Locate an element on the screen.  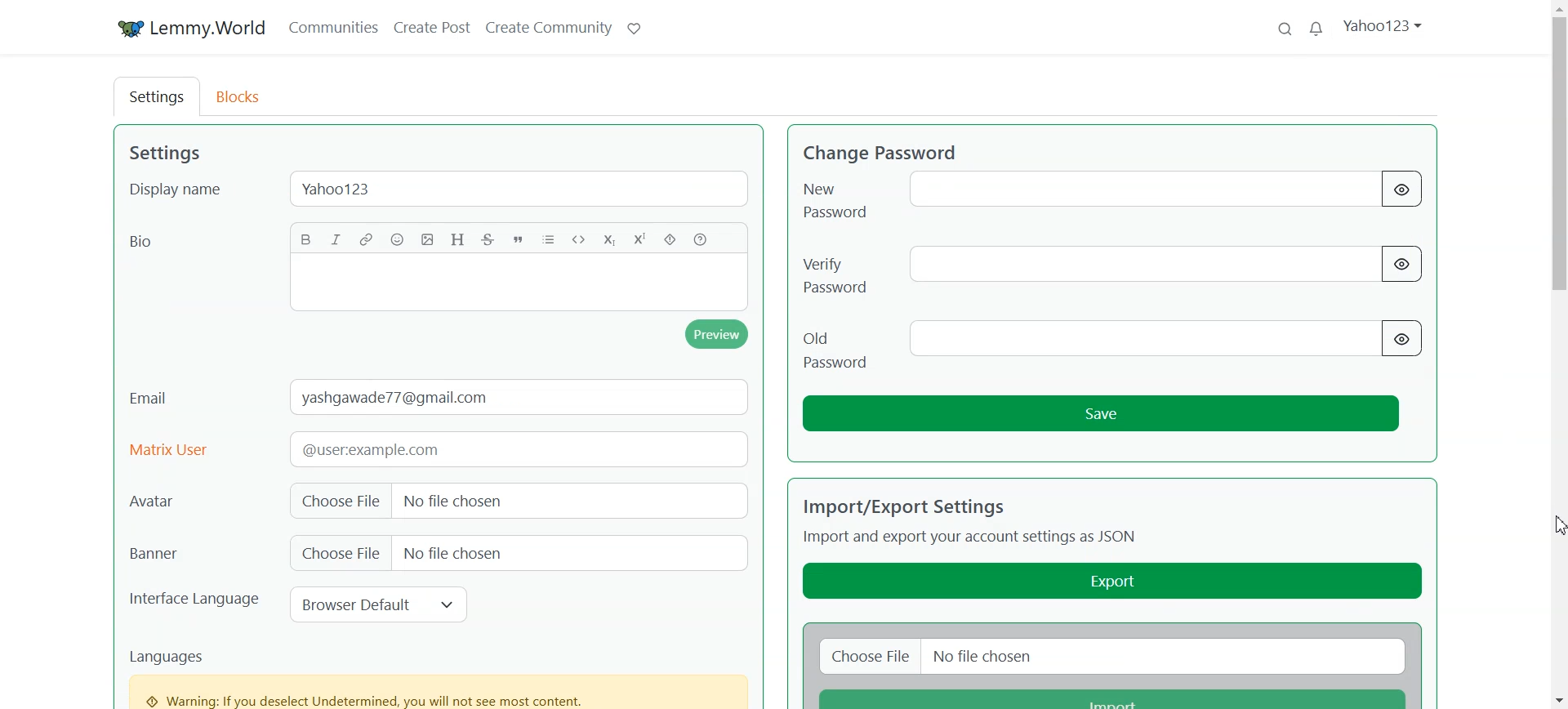
Languages Warning: If you deselect undetermined, you will not see most content. is located at coordinates (440, 676).